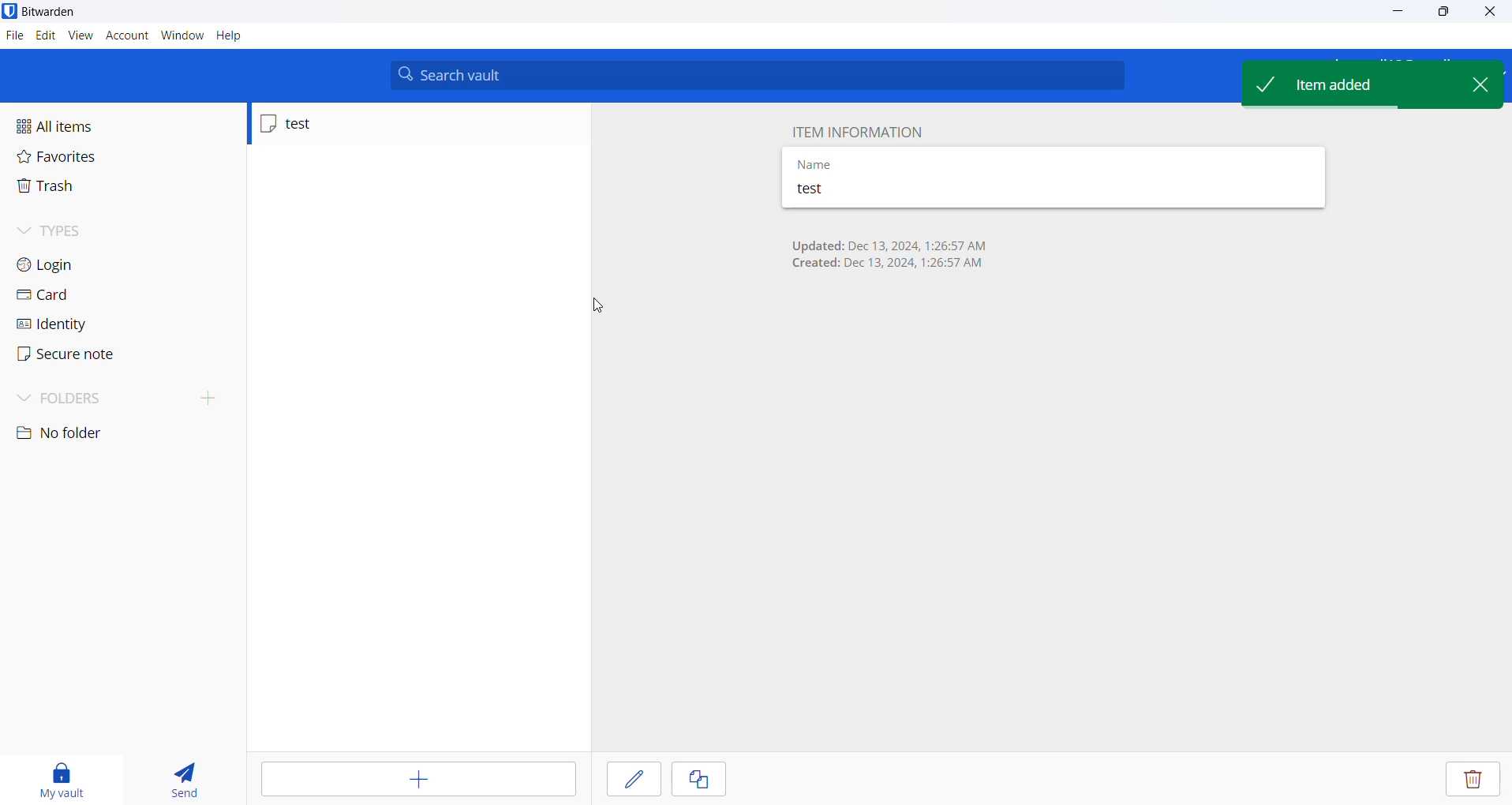 The height and width of the screenshot is (805, 1512). What do you see at coordinates (589, 309) in the screenshot?
I see `cursor` at bounding box center [589, 309].